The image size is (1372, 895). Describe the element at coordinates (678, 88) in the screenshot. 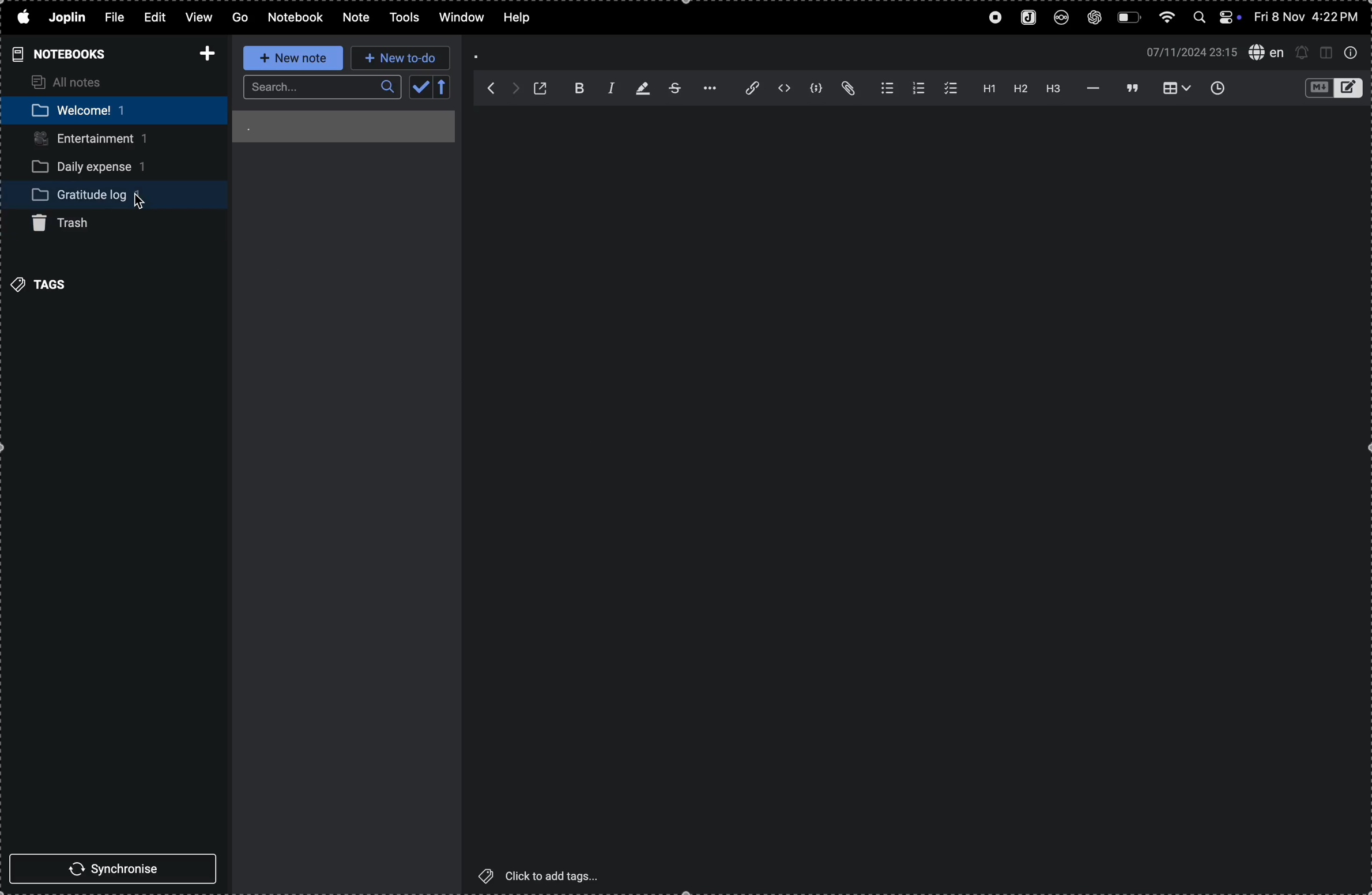

I see `strike  through` at that location.